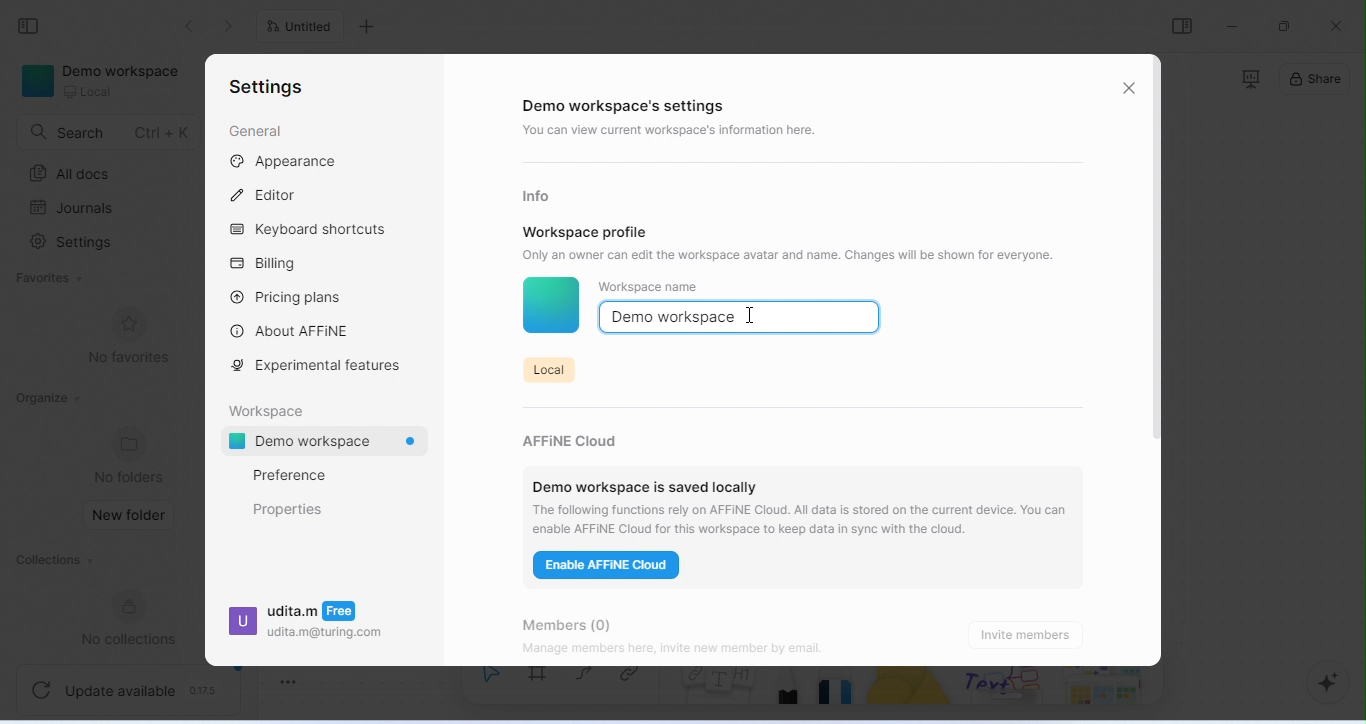  Describe the element at coordinates (232, 26) in the screenshot. I see `go previous` at that location.